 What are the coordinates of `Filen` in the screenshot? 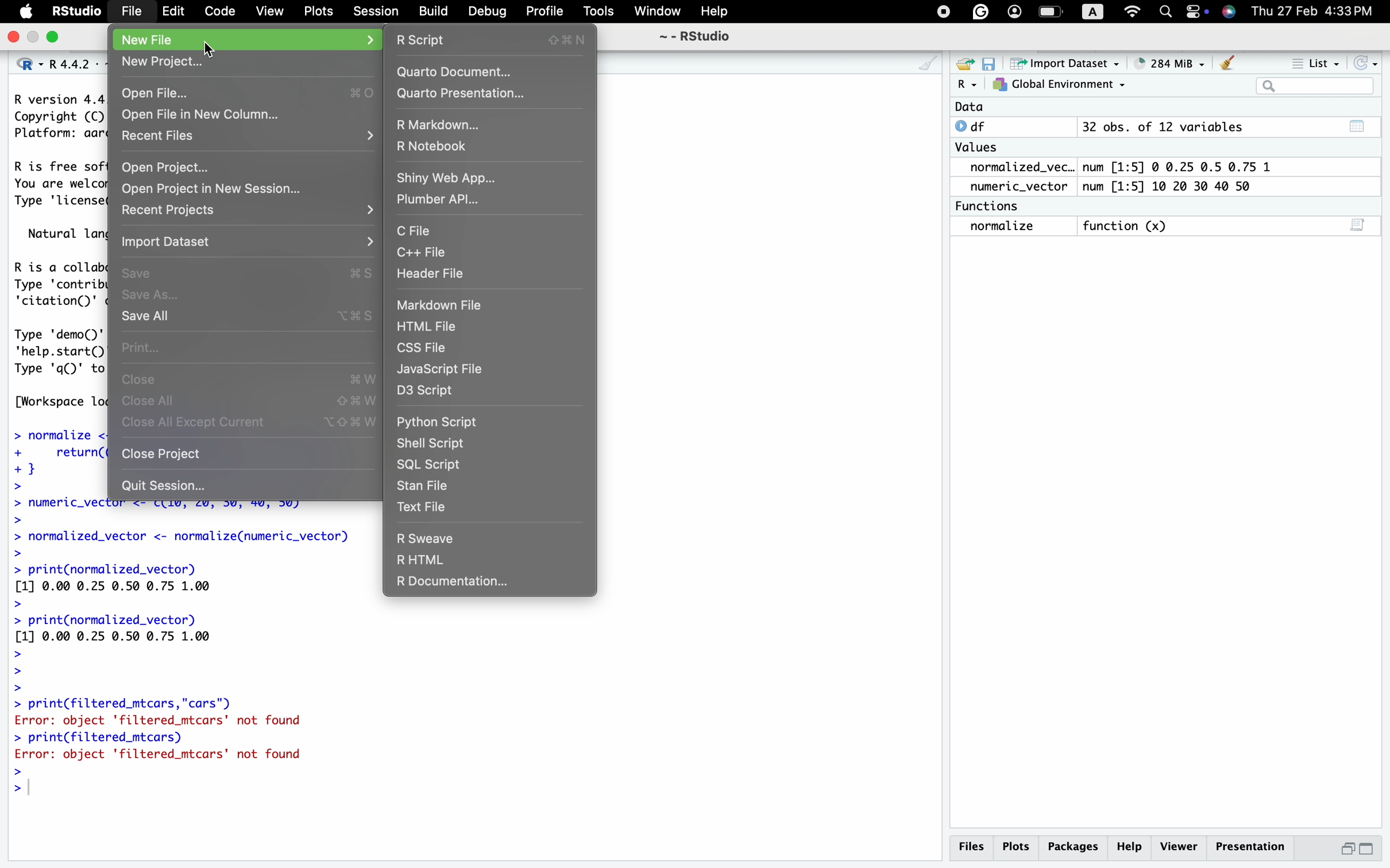 It's located at (130, 10).